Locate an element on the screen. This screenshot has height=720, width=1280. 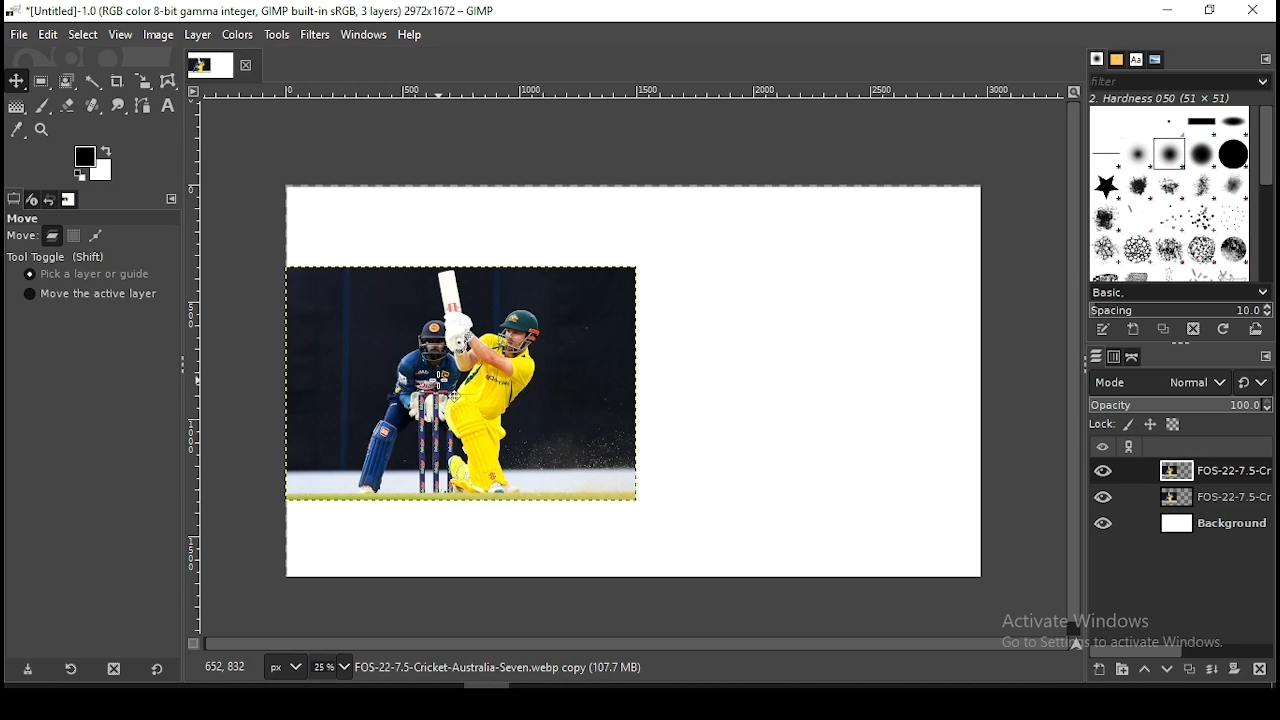
tool is located at coordinates (1265, 58).